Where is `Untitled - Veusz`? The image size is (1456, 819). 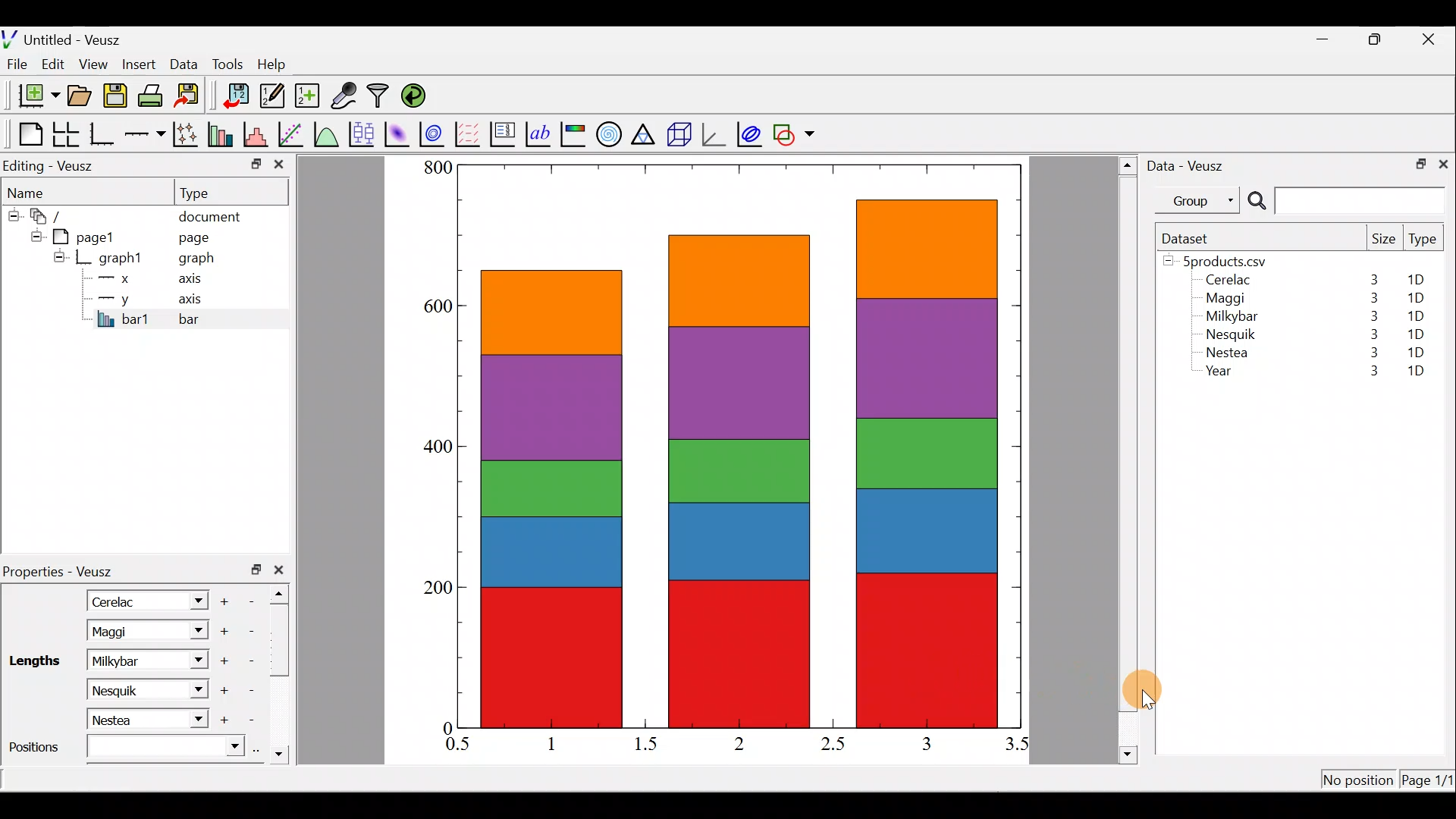
Untitled - Veusz is located at coordinates (67, 37).